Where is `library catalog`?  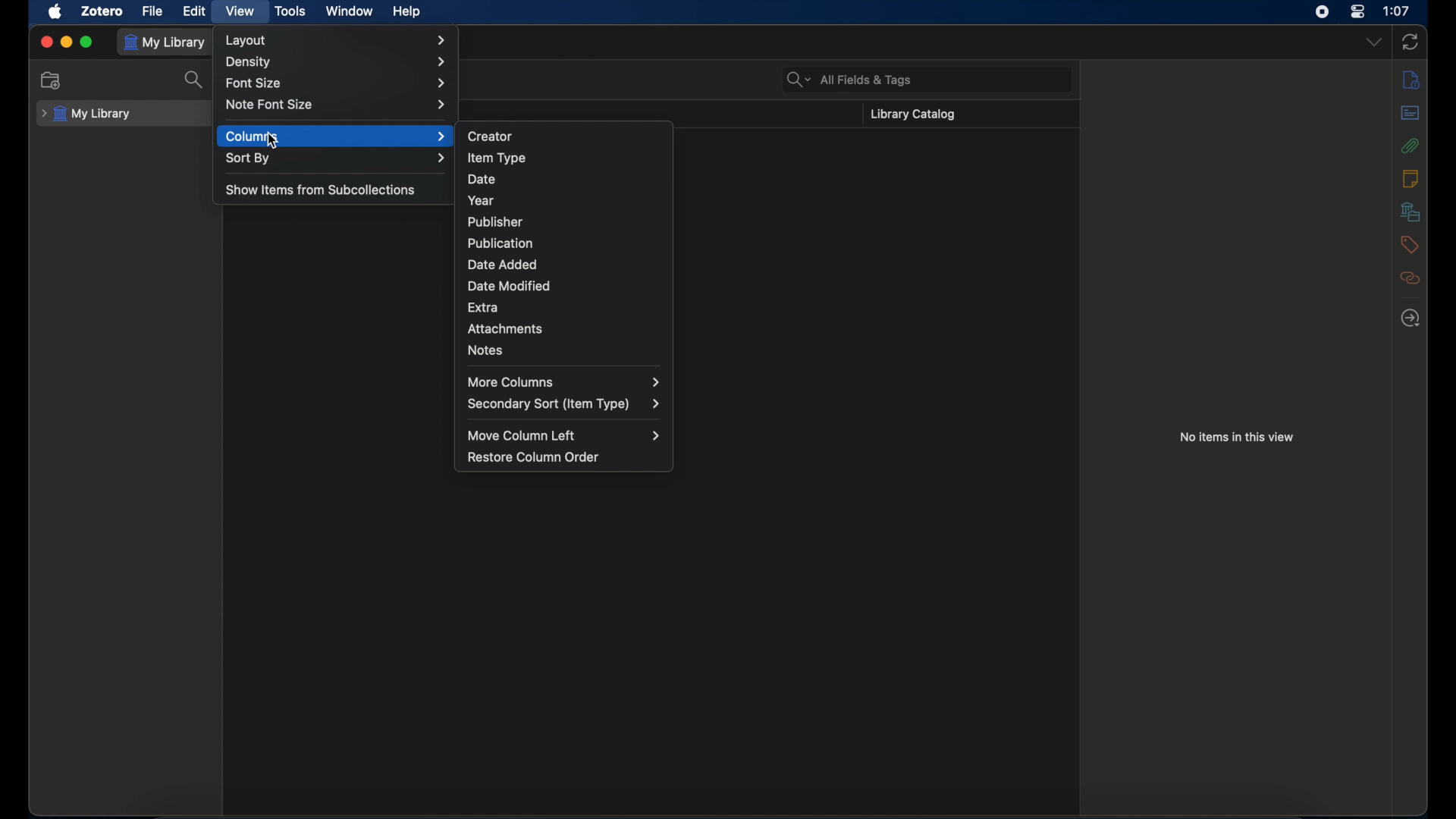 library catalog is located at coordinates (911, 115).